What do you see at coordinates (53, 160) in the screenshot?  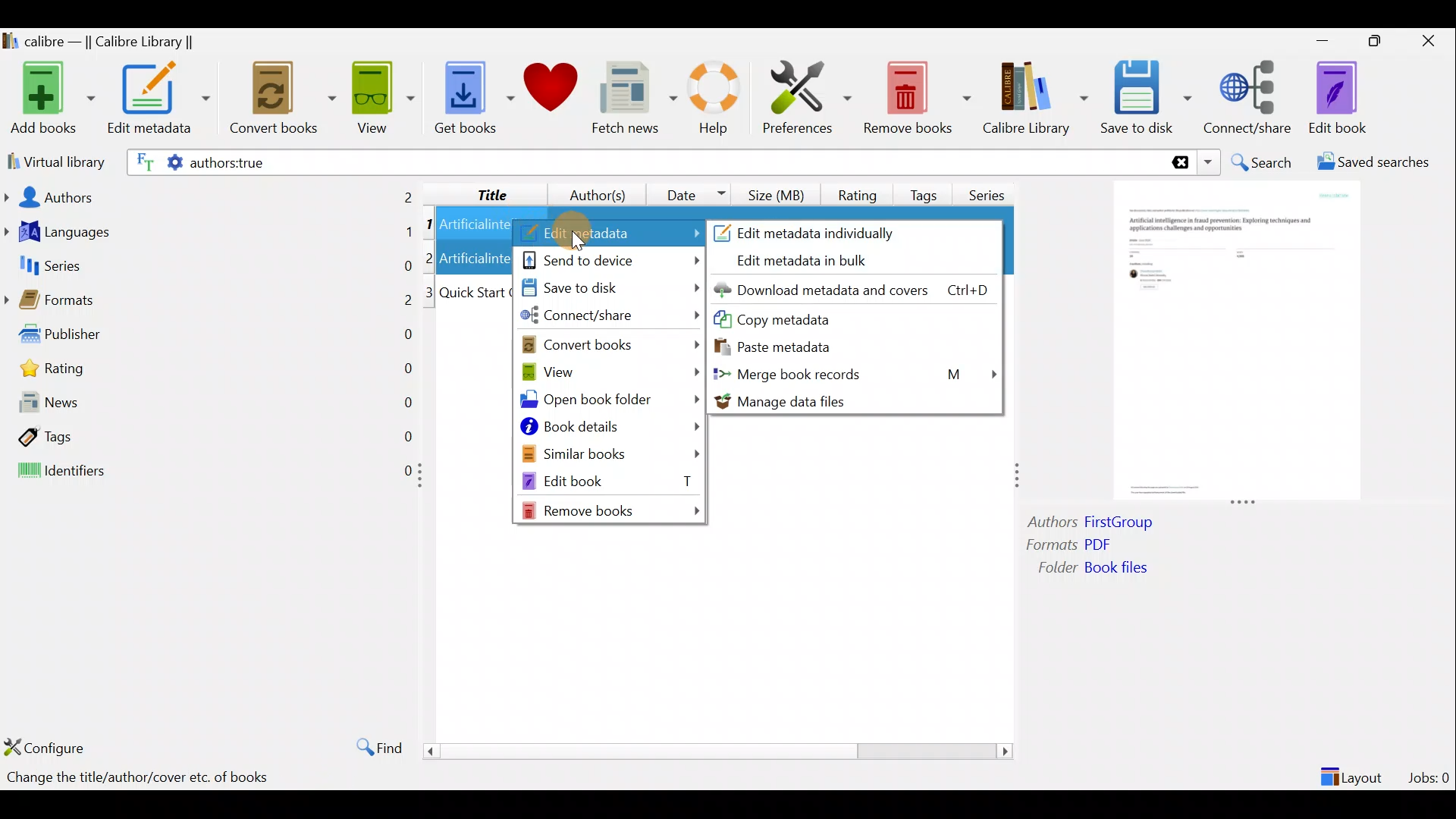 I see `Virtual library` at bounding box center [53, 160].